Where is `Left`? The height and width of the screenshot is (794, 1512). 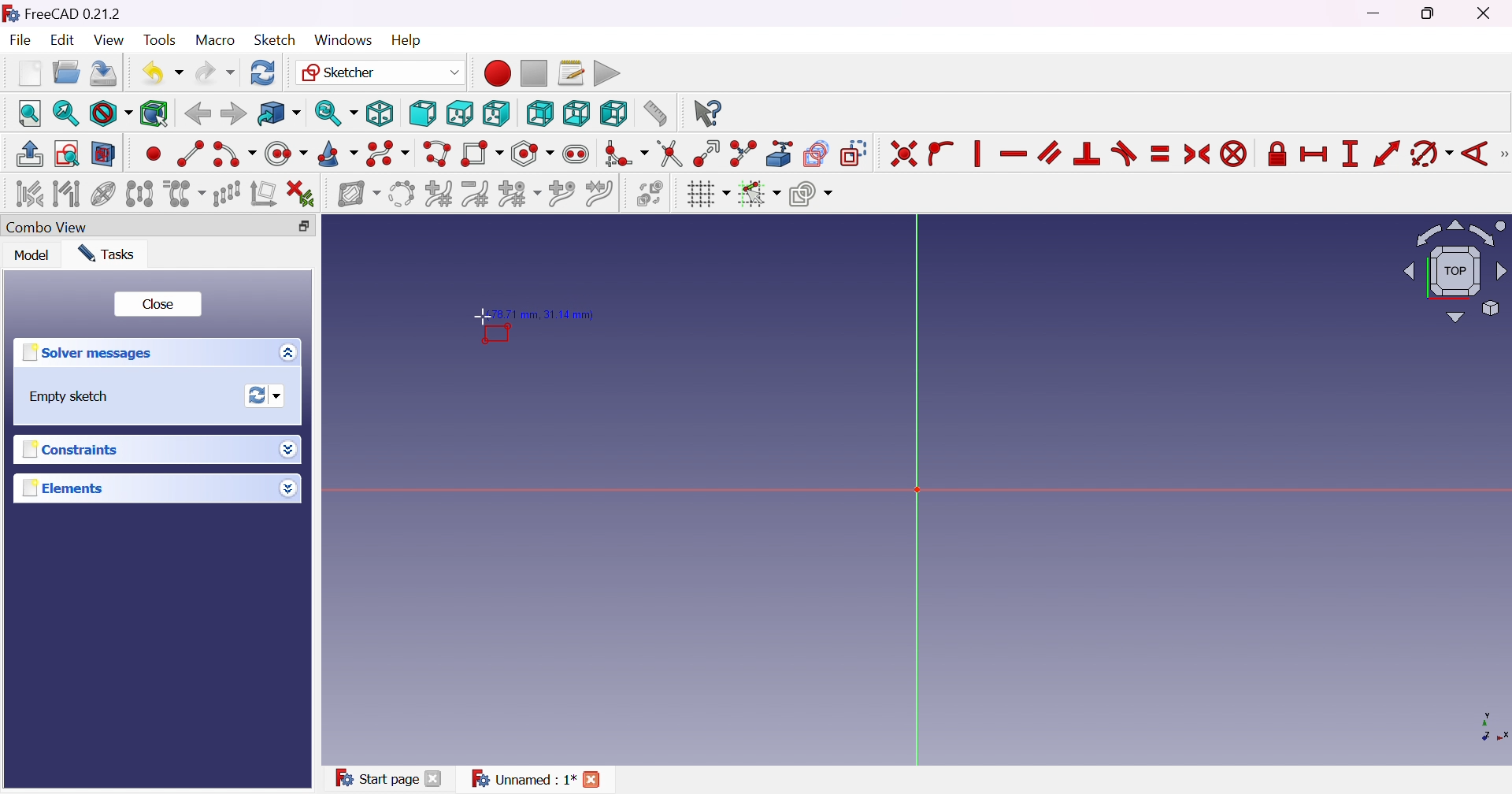
Left is located at coordinates (614, 113).